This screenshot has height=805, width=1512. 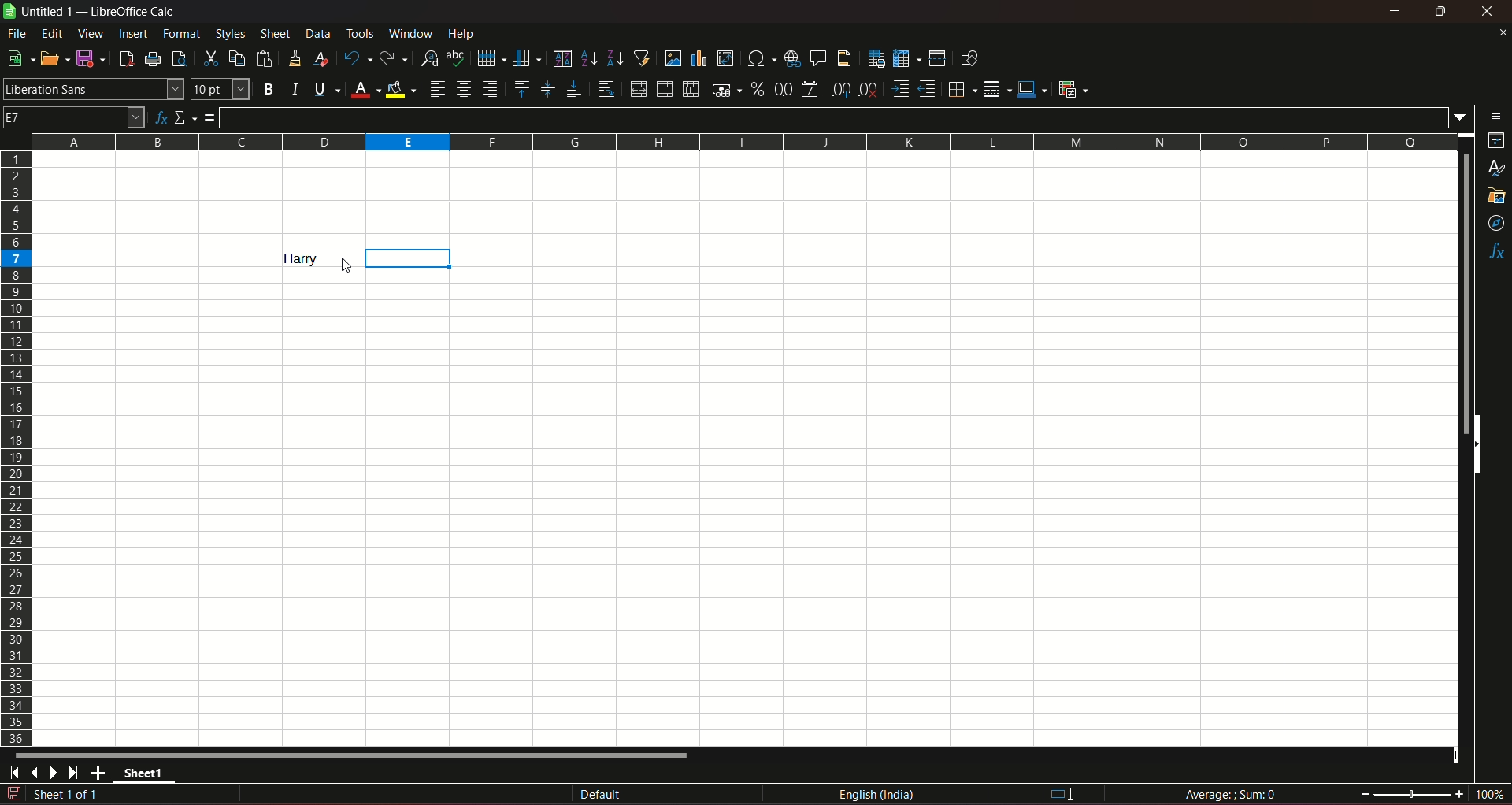 What do you see at coordinates (995, 90) in the screenshot?
I see `border styles` at bounding box center [995, 90].